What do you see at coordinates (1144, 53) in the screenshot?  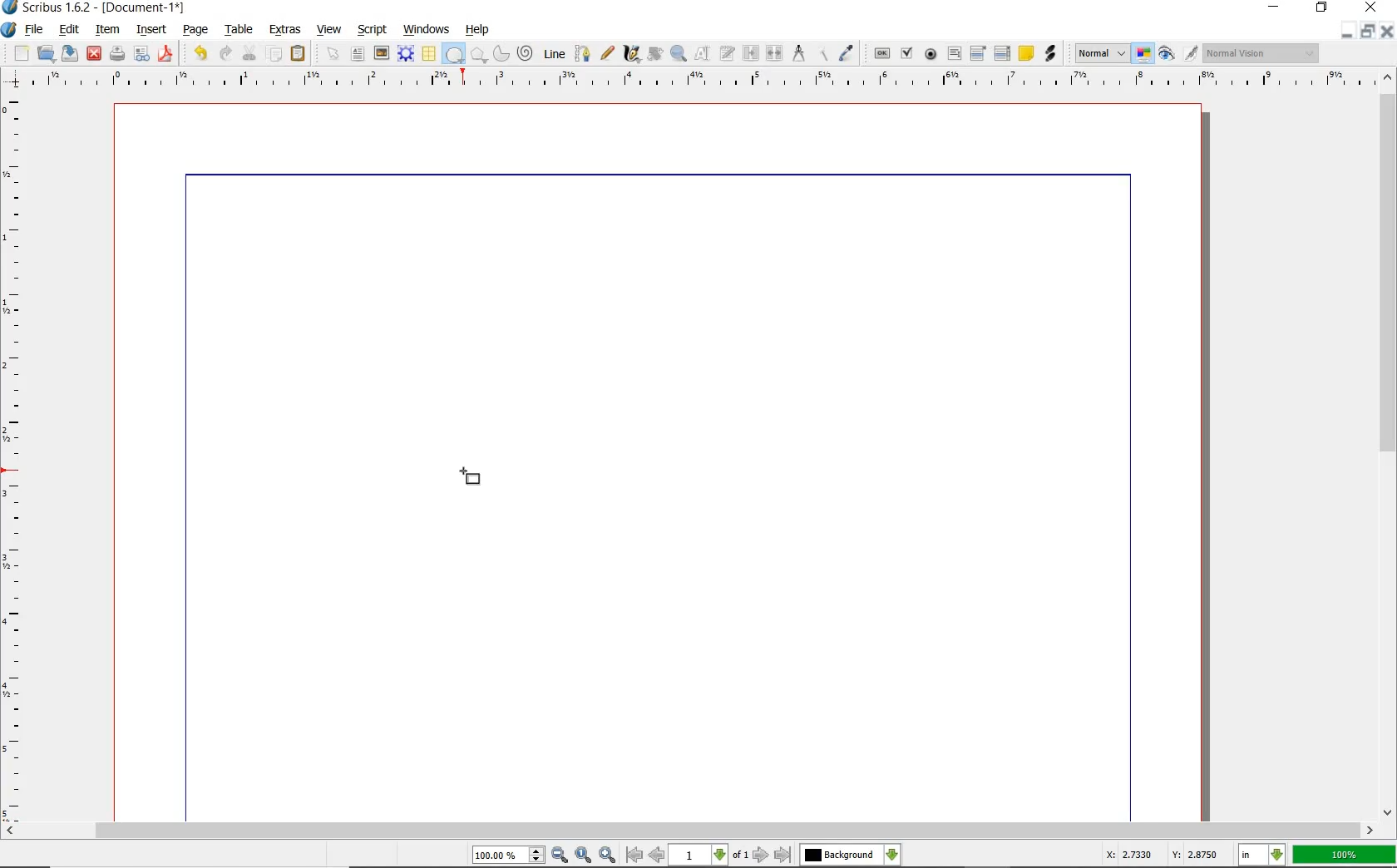 I see `TOGGLE COLOR MANAGEMENT SYSTEM` at bounding box center [1144, 53].